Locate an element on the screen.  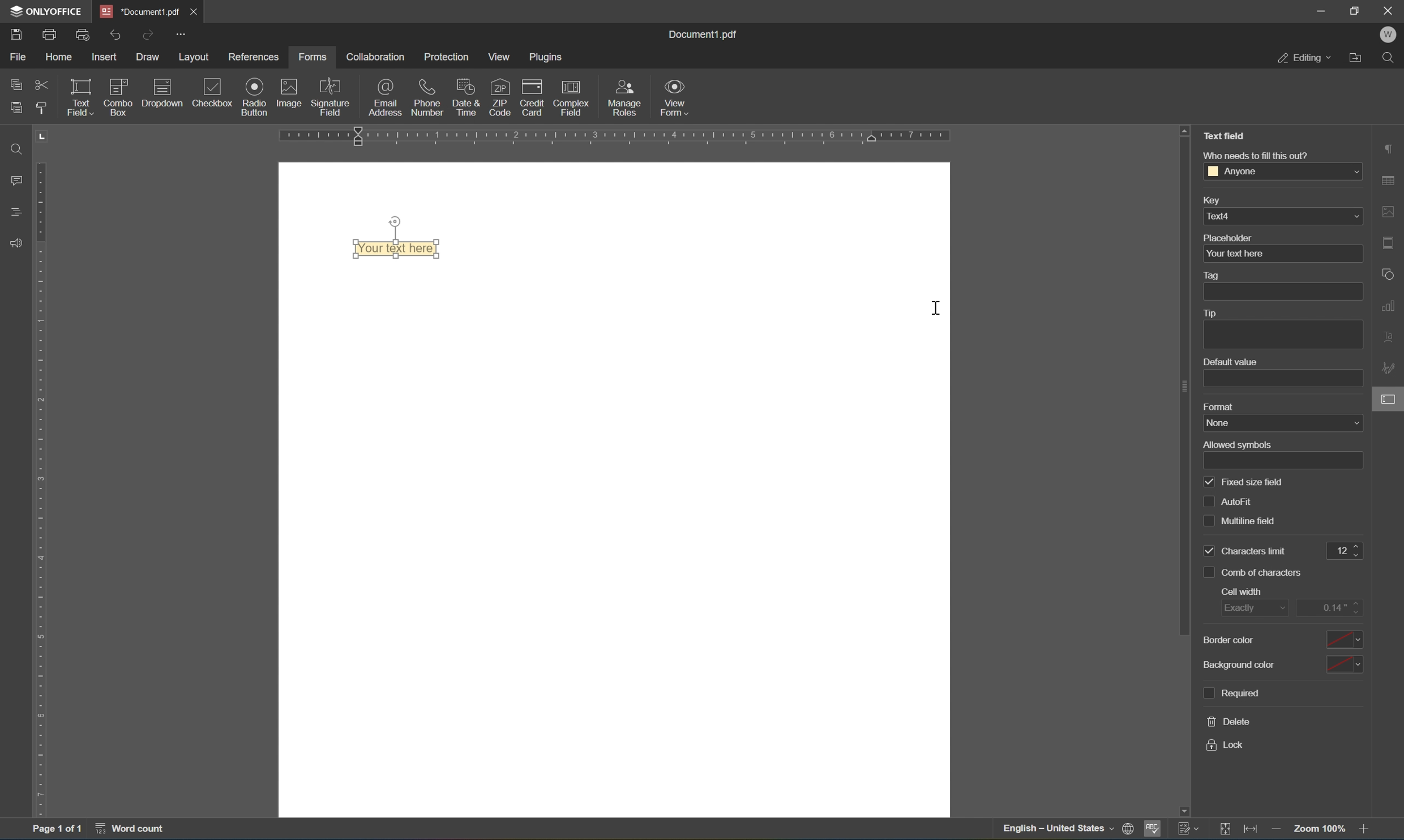
layout is located at coordinates (192, 55).